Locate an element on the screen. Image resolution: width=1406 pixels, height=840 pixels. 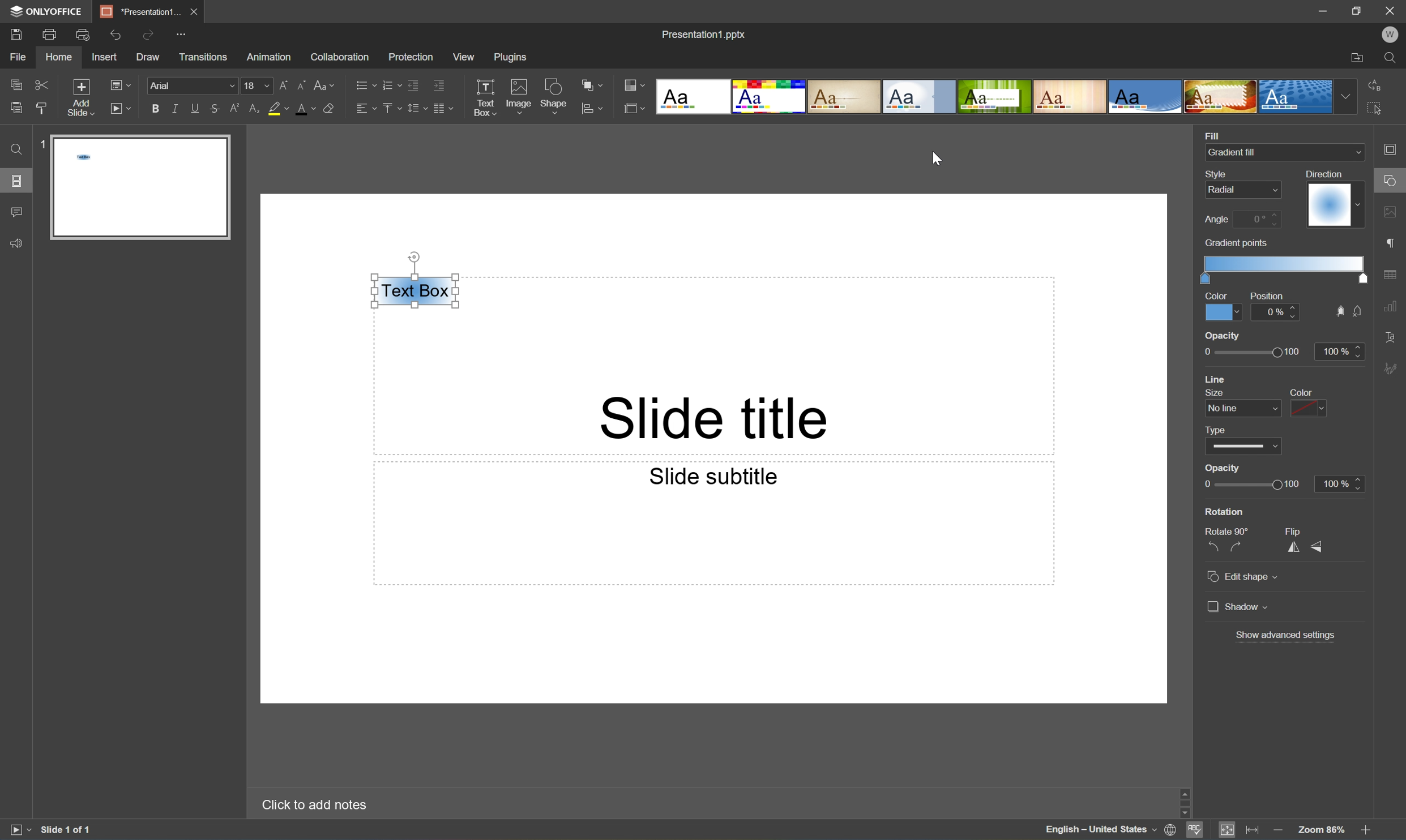
Rotation is located at coordinates (1224, 509).